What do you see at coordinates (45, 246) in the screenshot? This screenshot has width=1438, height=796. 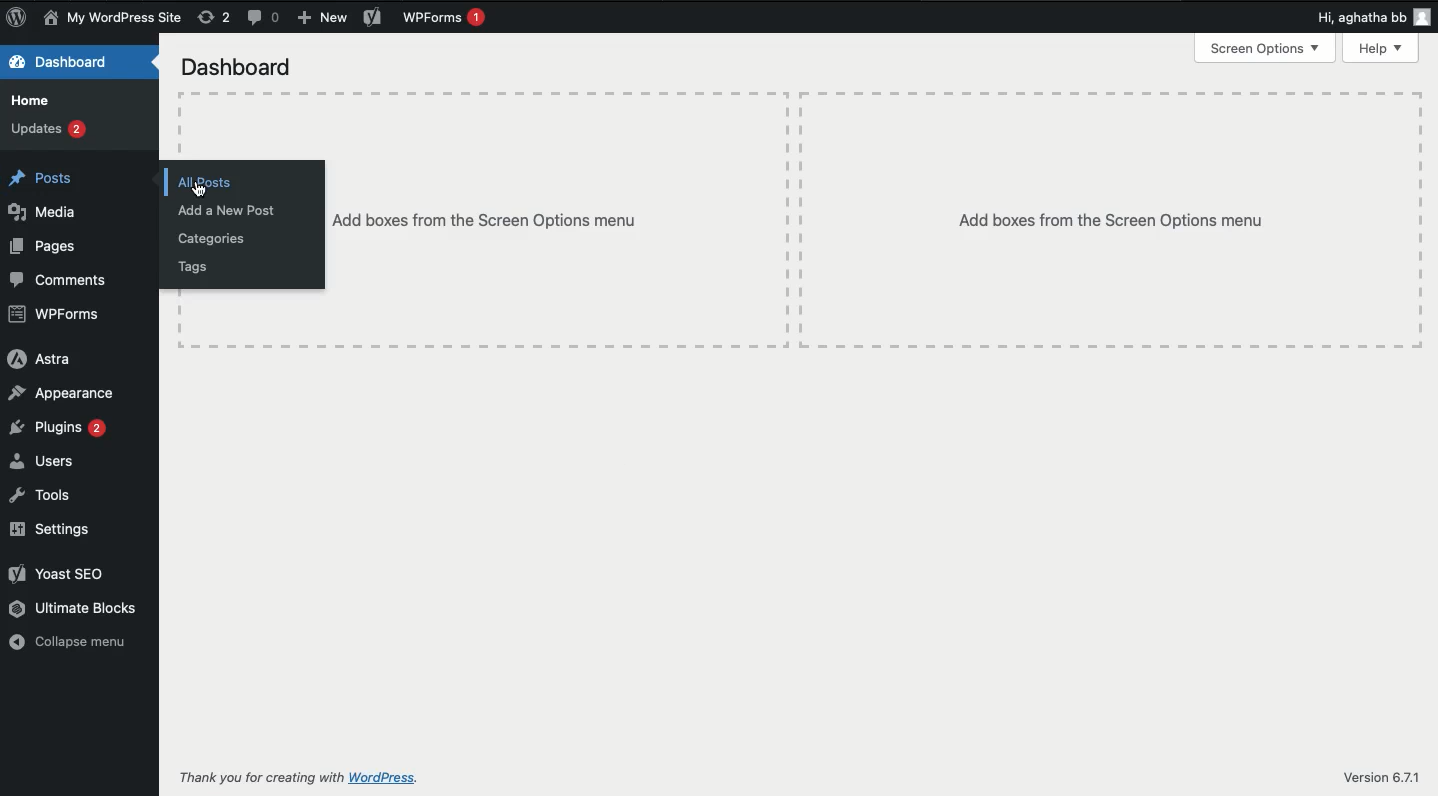 I see `Pages` at bounding box center [45, 246].